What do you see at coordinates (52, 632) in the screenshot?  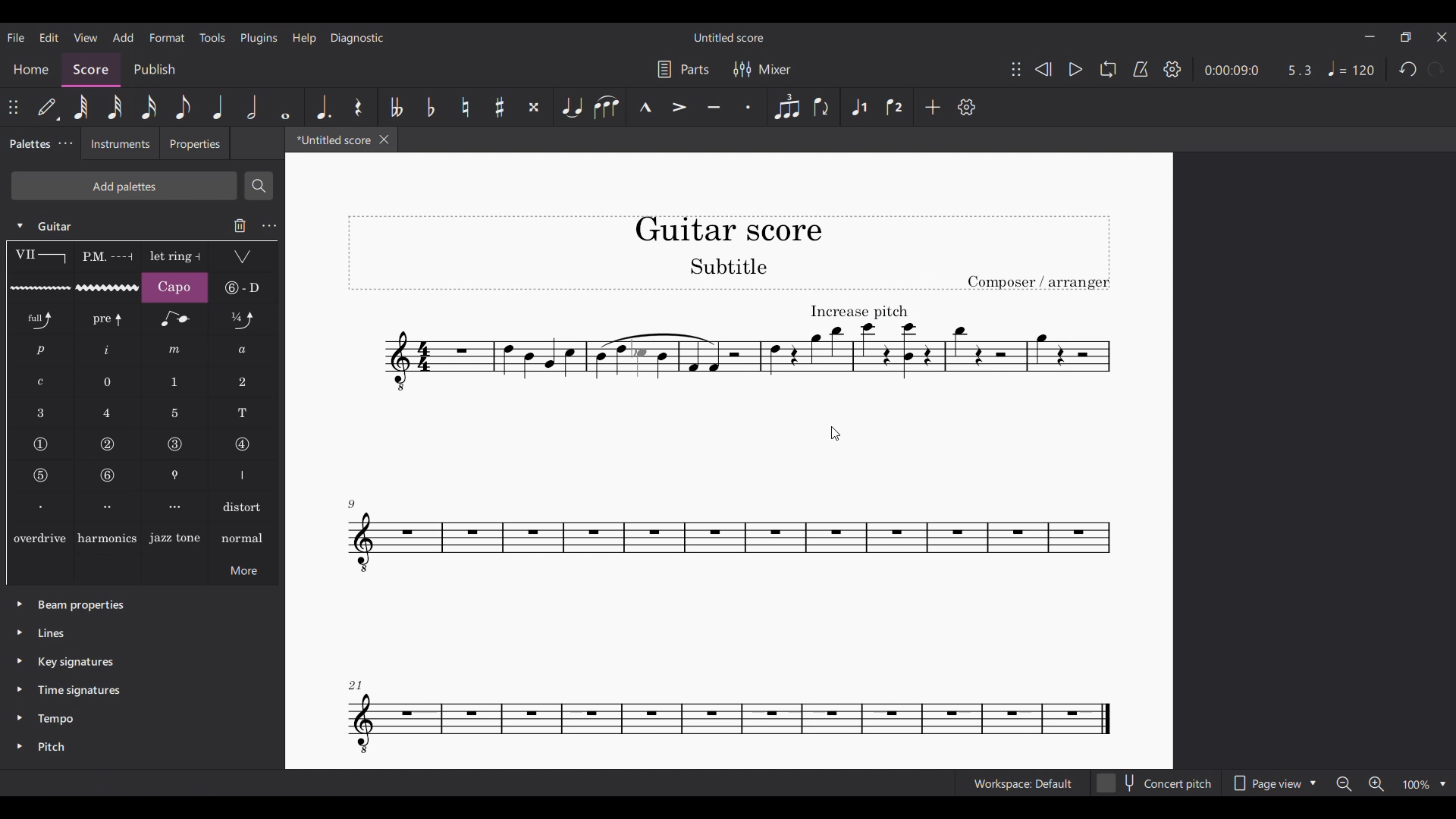 I see `Lines palette` at bounding box center [52, 632].